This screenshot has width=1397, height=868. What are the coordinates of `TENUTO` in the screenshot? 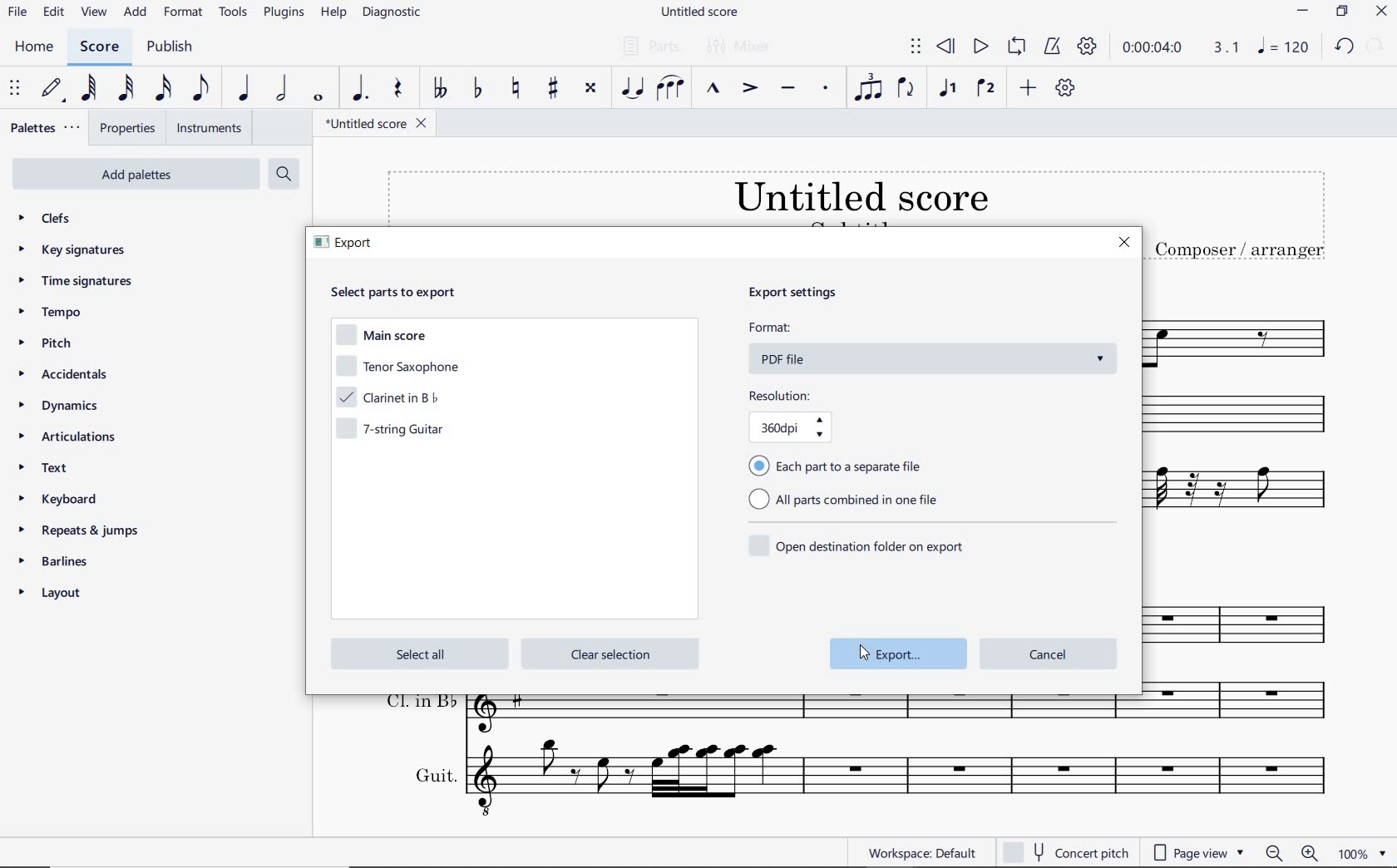 It's located at (789, 88).